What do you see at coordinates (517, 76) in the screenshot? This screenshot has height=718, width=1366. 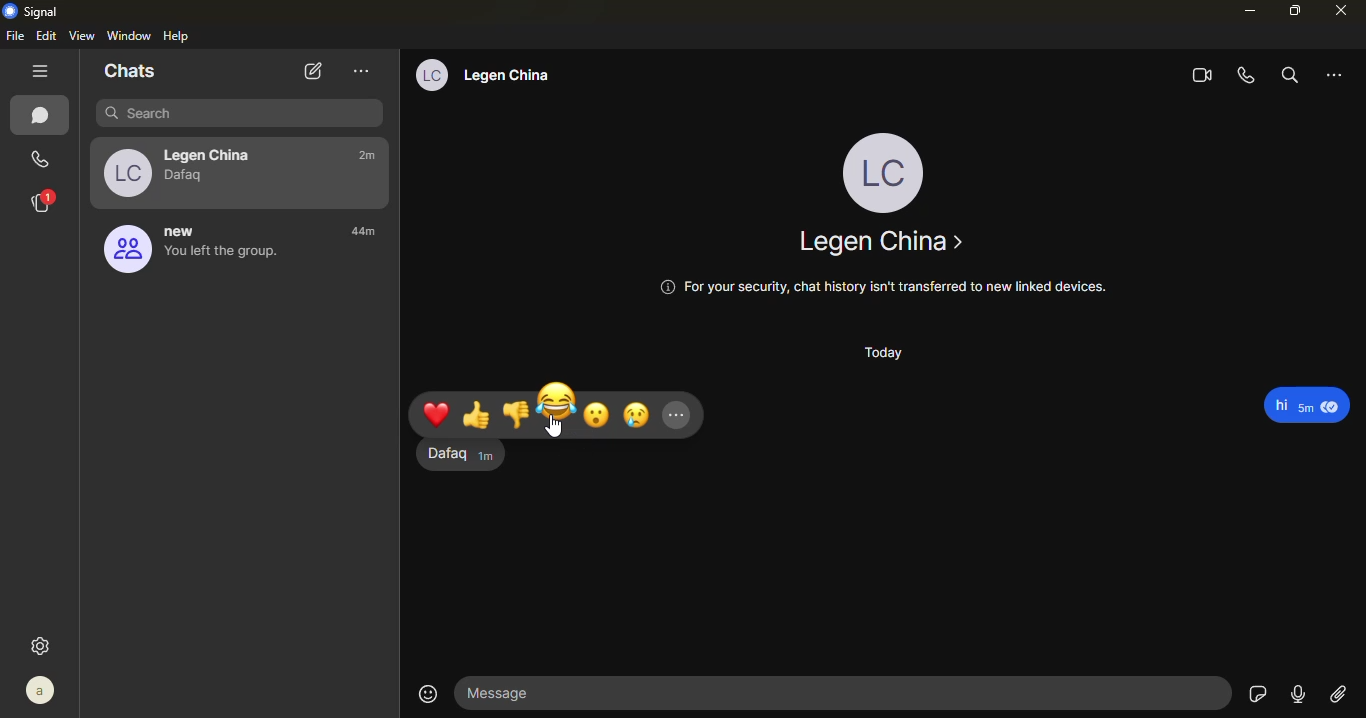 I see `Legan china` at bounding box center [517, 76].